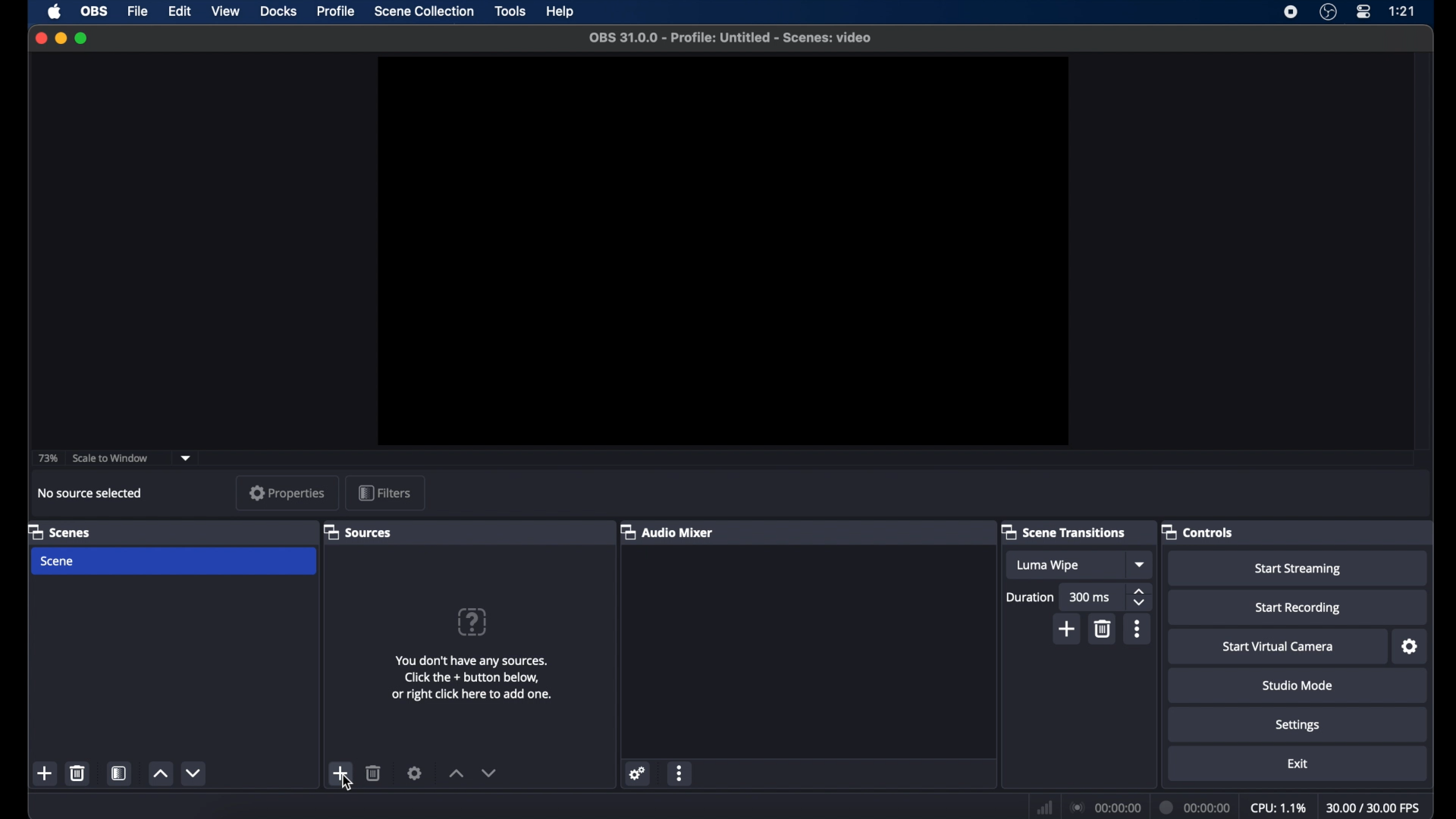 This screenshot has width=1456, height=819. Describe the element at coordinates (1300, 607) in the screenshot. I see `start recording` at that location.